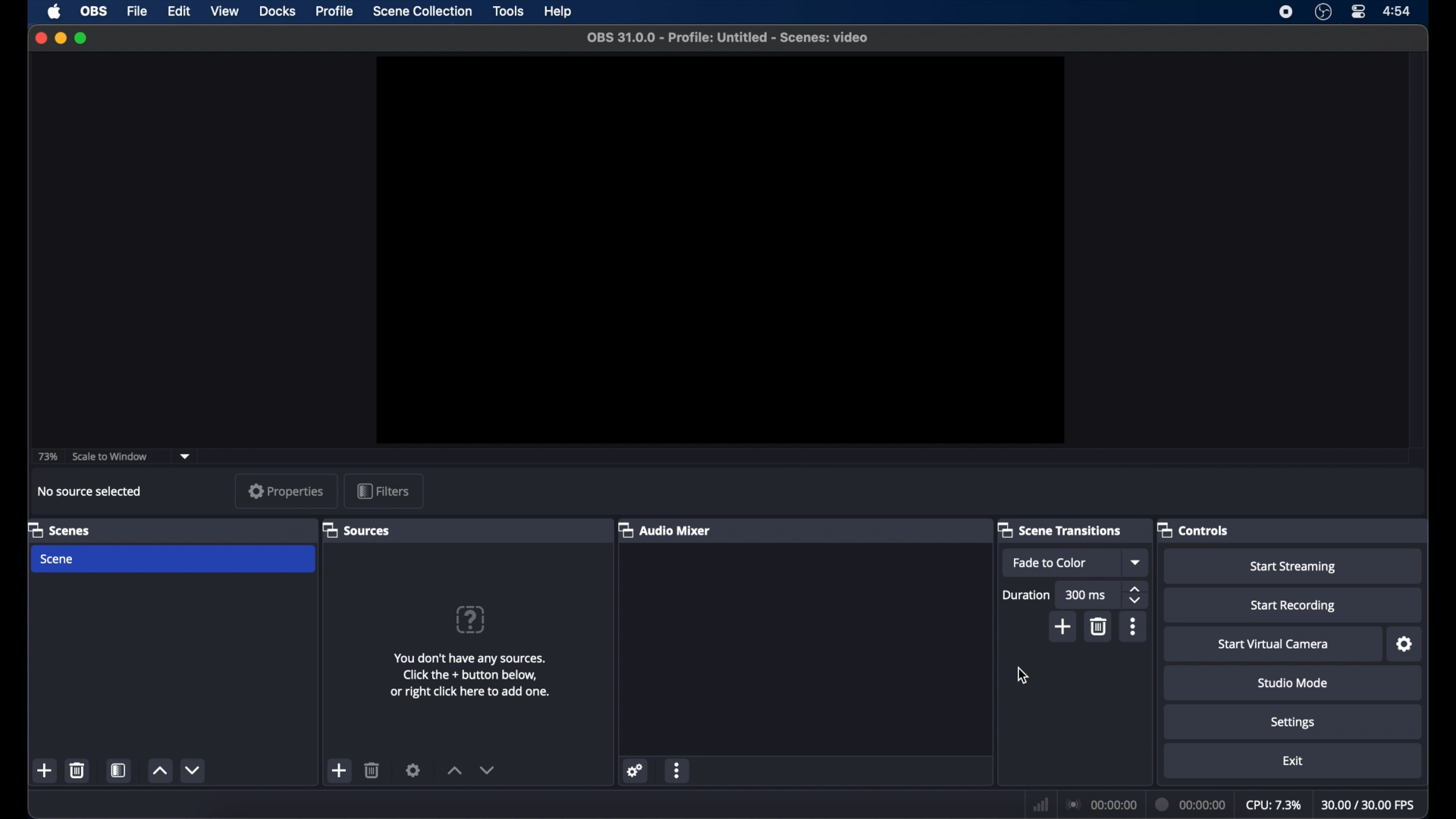 The height and width of the screenshot is (819, 1456). Describe the element at coordinates (1134, 626) in the screenshot. I see `more options` at that location.